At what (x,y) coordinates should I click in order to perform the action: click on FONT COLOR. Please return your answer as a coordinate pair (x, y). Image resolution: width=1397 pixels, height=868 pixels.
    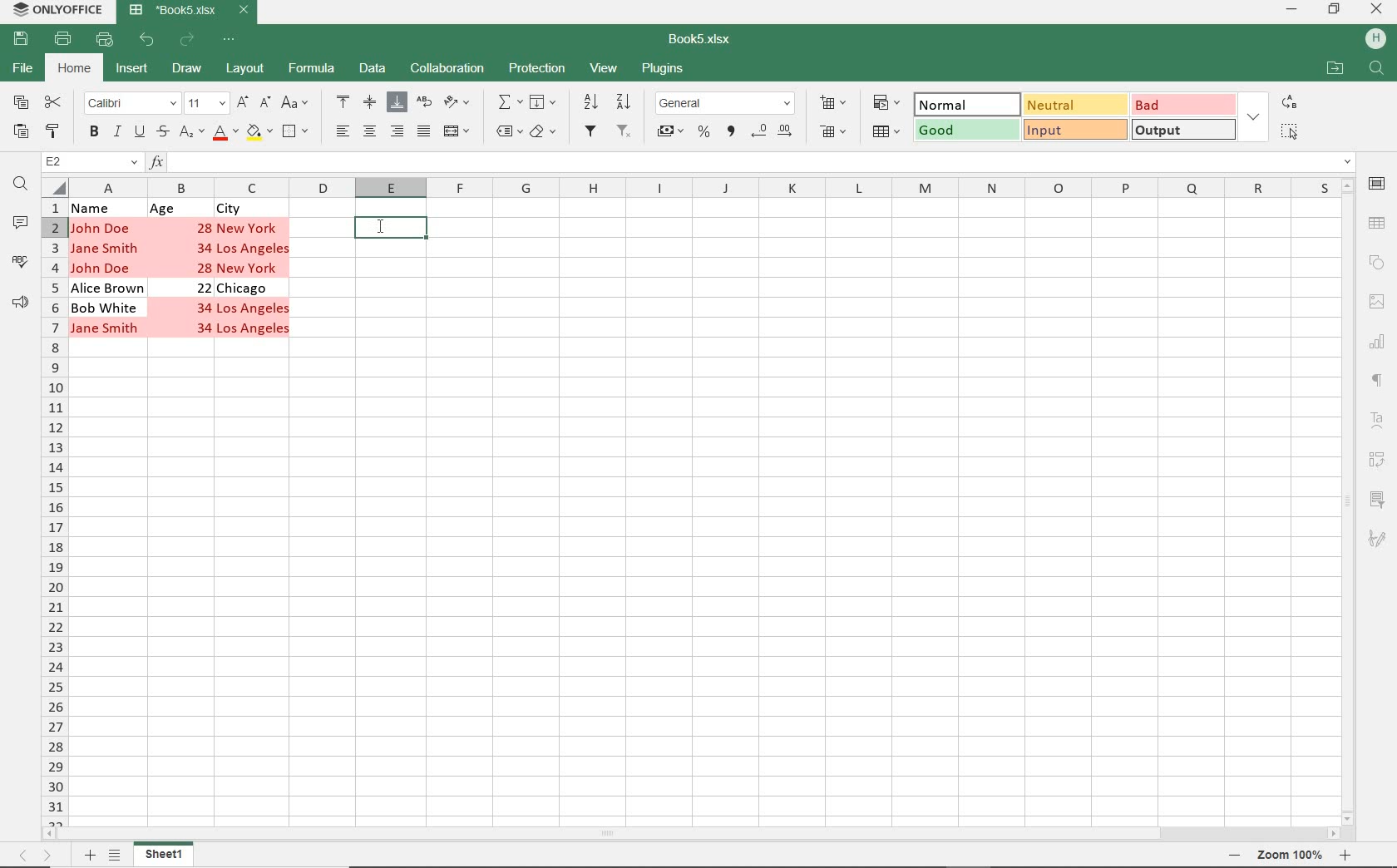
    Looking at the image, I should click on (225, 134).